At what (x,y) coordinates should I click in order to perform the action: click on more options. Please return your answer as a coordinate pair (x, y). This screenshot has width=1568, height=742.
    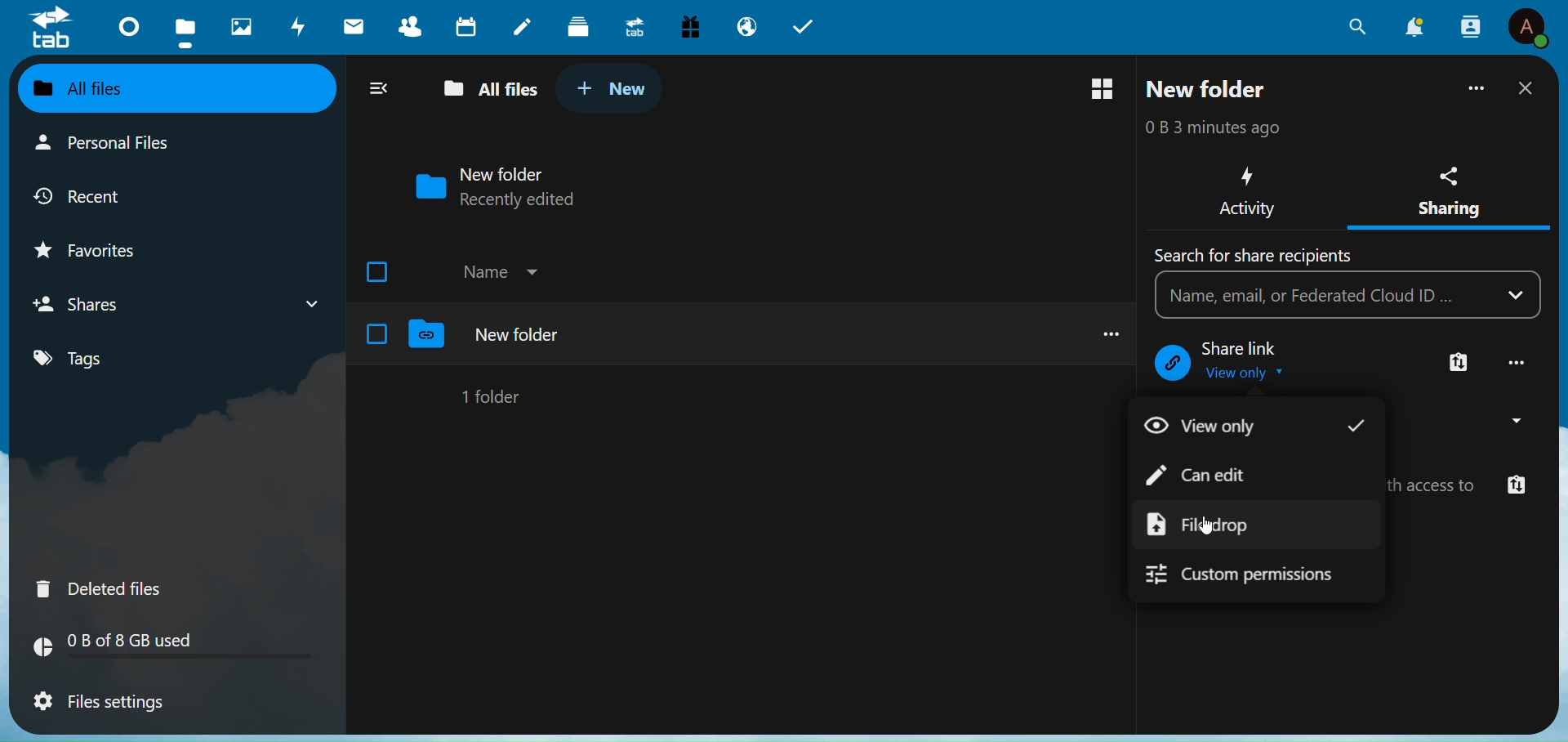
    Looking at the image, I should click on (1104, 331).